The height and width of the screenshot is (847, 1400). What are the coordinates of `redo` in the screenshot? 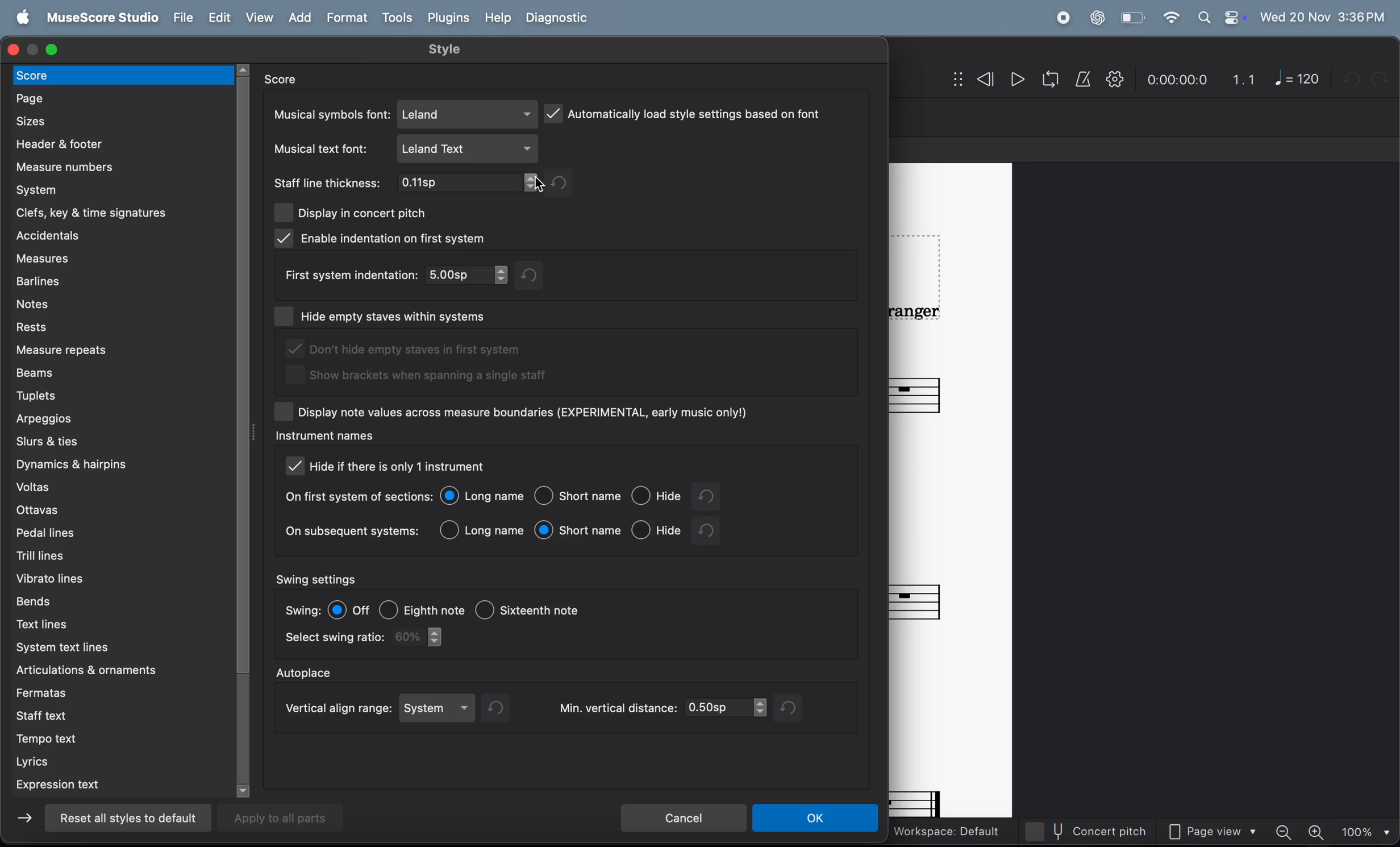 It's located at (791, 708).